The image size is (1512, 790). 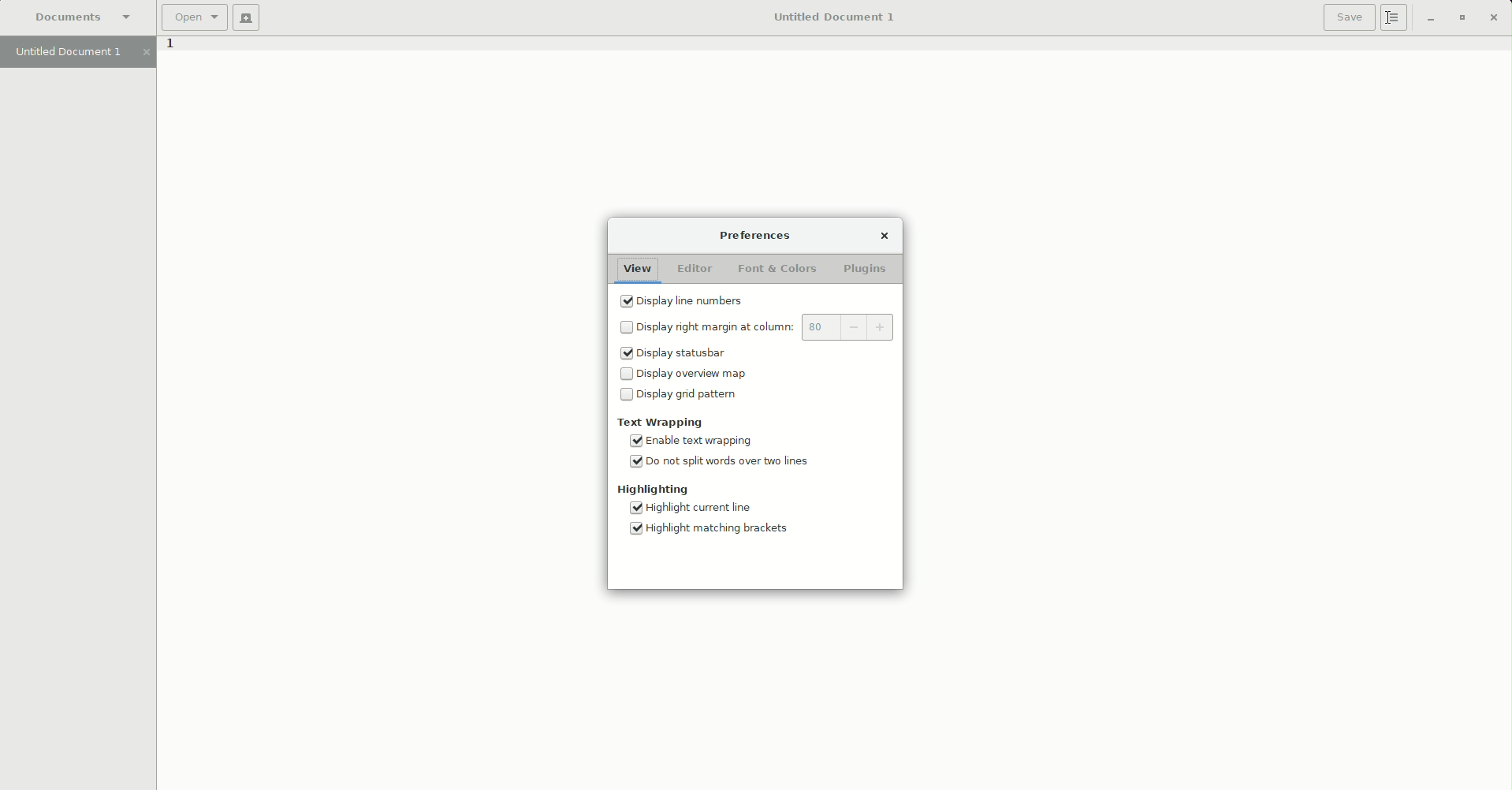 What do you see at coordinates (832, 17) in the screenshot?
I see `Untitled Document 1` at bounding box center [832, 17].